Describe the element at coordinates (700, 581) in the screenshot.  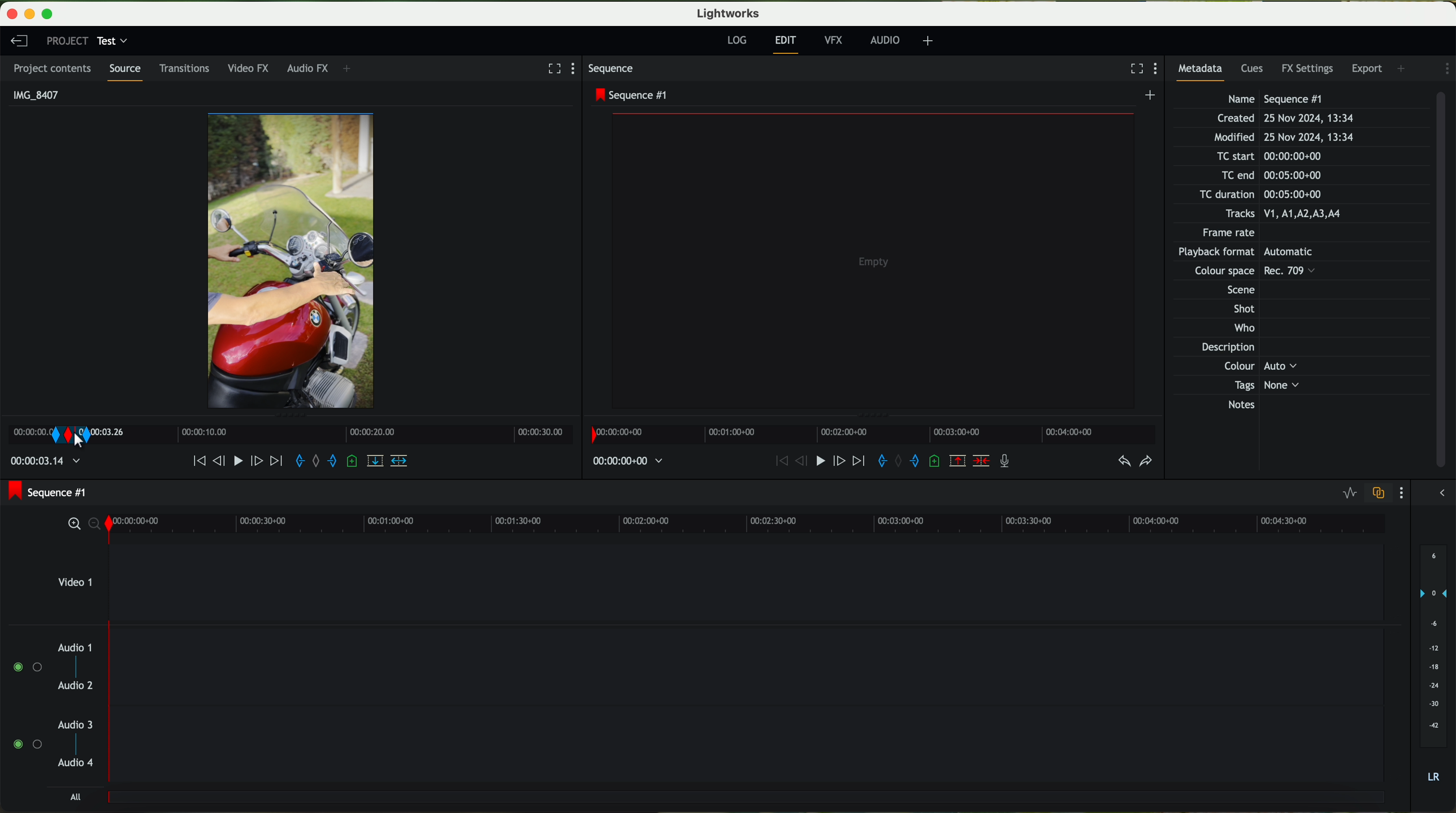
I see `video 1` at that location.